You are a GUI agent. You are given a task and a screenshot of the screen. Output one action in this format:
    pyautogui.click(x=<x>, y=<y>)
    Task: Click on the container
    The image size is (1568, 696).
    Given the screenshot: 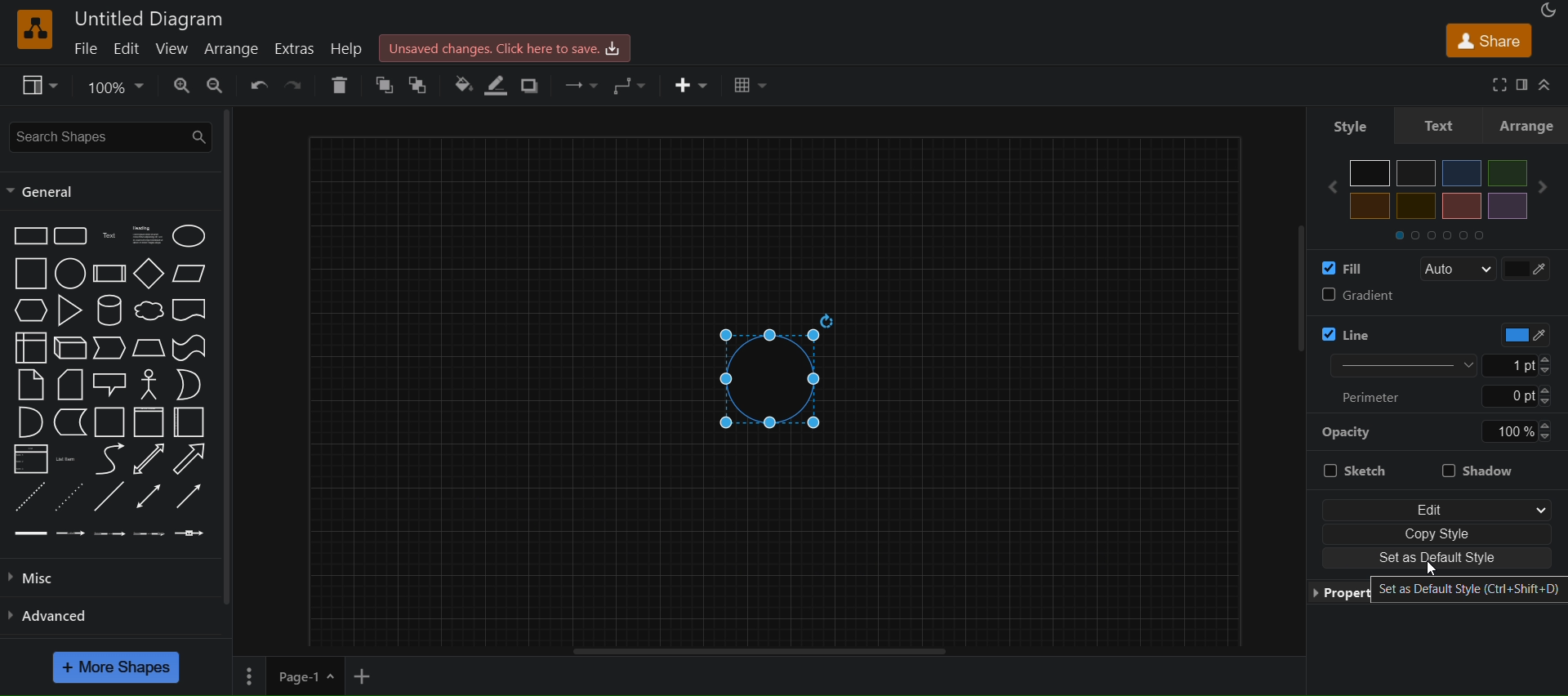 What is the action you would take?
    pyautogui.click(x=111, y=423)
    